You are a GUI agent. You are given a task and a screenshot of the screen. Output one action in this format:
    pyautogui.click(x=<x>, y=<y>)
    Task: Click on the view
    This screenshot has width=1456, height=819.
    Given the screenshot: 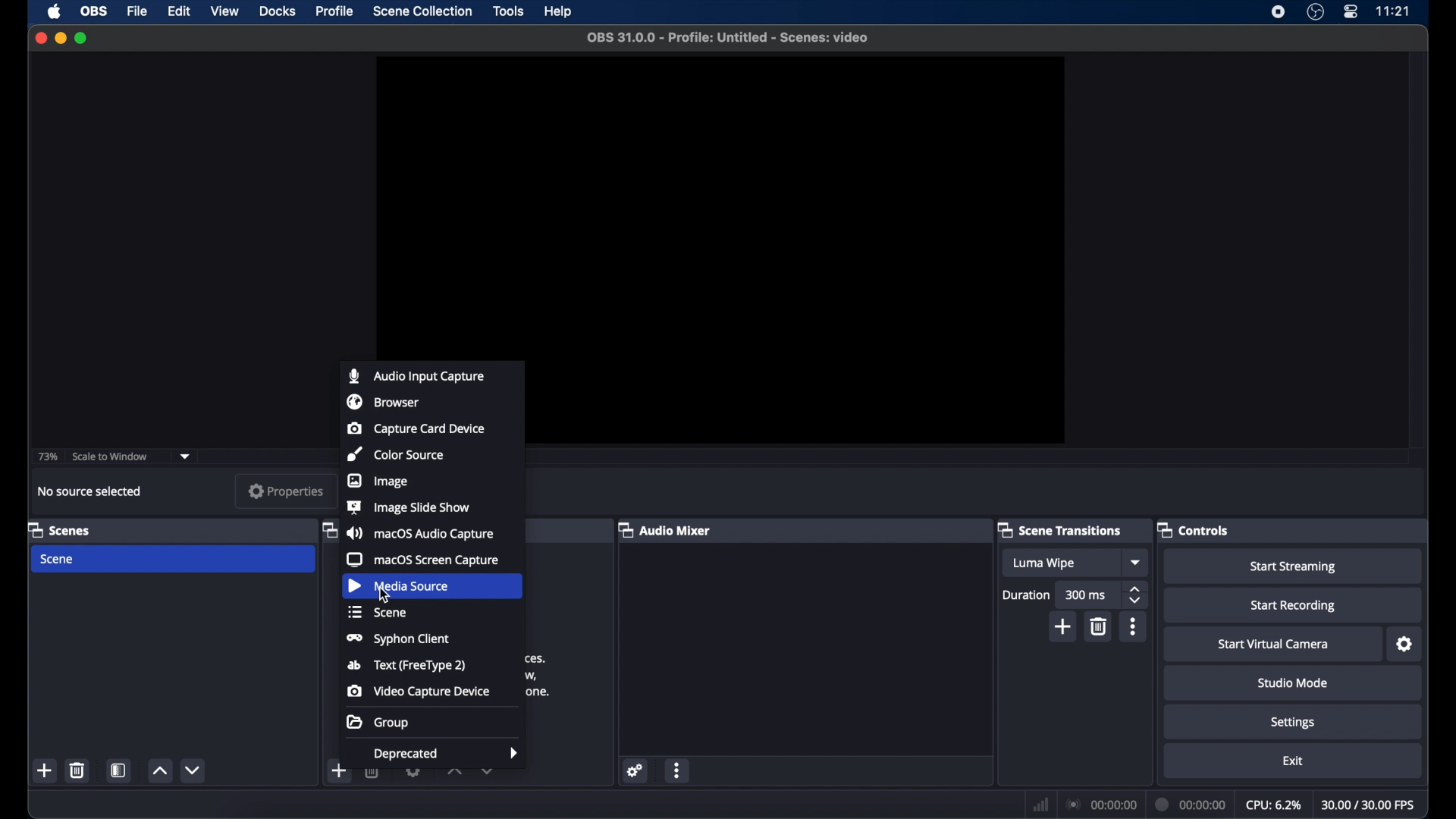 What is the action you would take?
    pyautogui.click(x=224, y=10)
    